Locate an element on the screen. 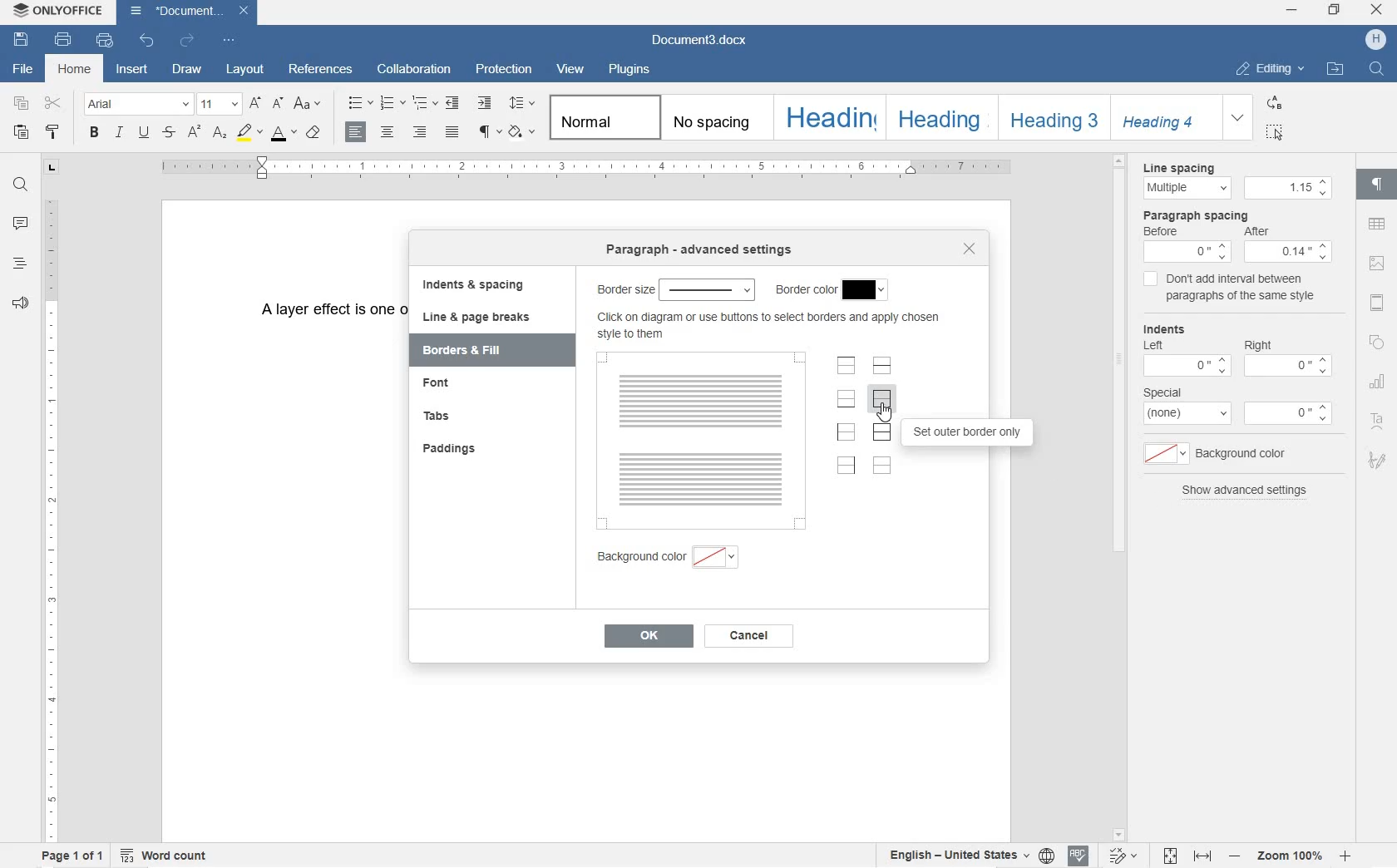 The width and height of the screenshot is (1397, 868). DOCUMENT3.DOCX is located at coordinates (192, 13).